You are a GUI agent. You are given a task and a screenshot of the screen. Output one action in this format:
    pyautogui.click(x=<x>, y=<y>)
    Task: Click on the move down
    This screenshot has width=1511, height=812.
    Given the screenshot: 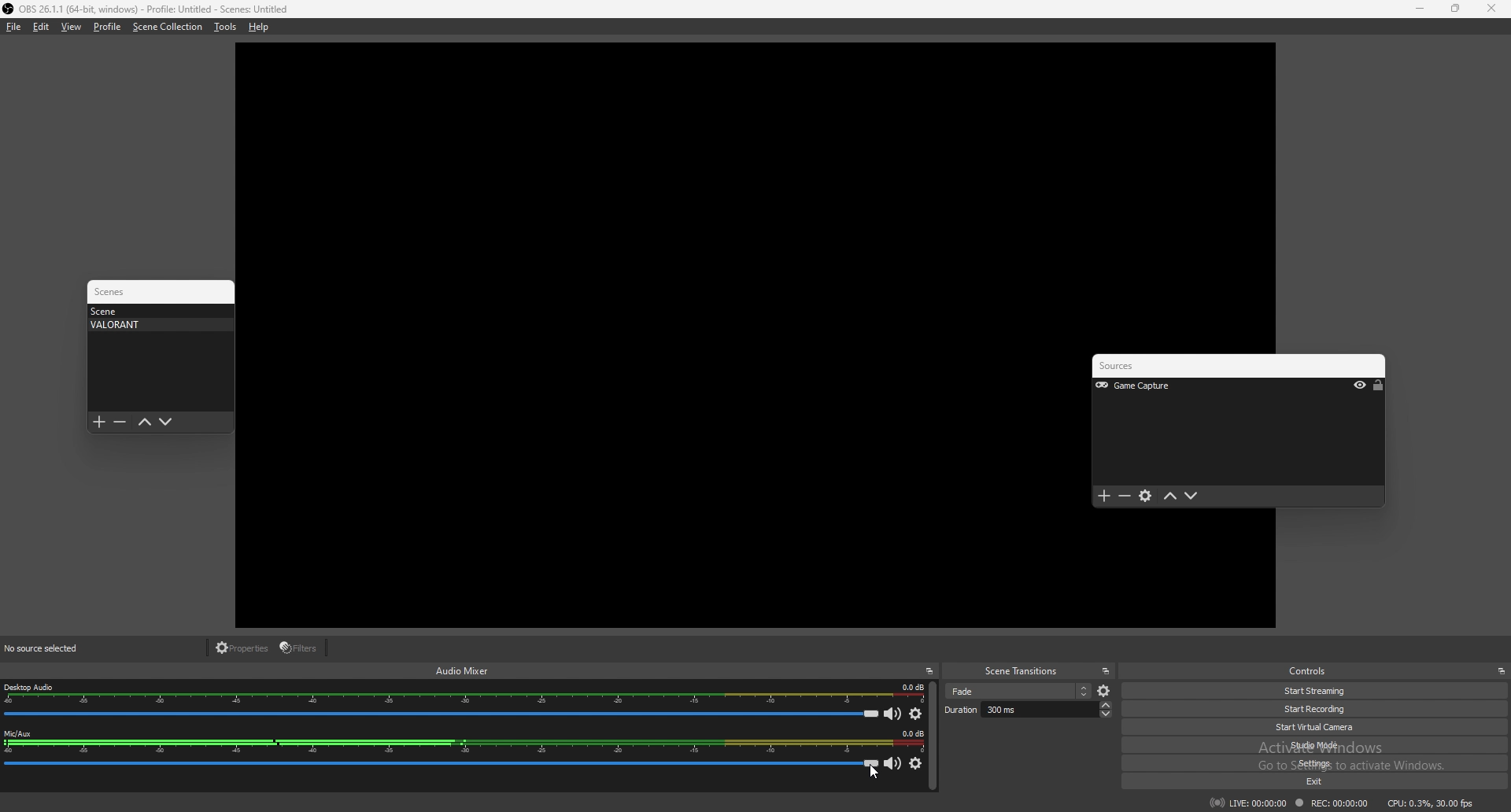 What is the action you would take?
    pyautogui.click(x=1191, y=496)
    